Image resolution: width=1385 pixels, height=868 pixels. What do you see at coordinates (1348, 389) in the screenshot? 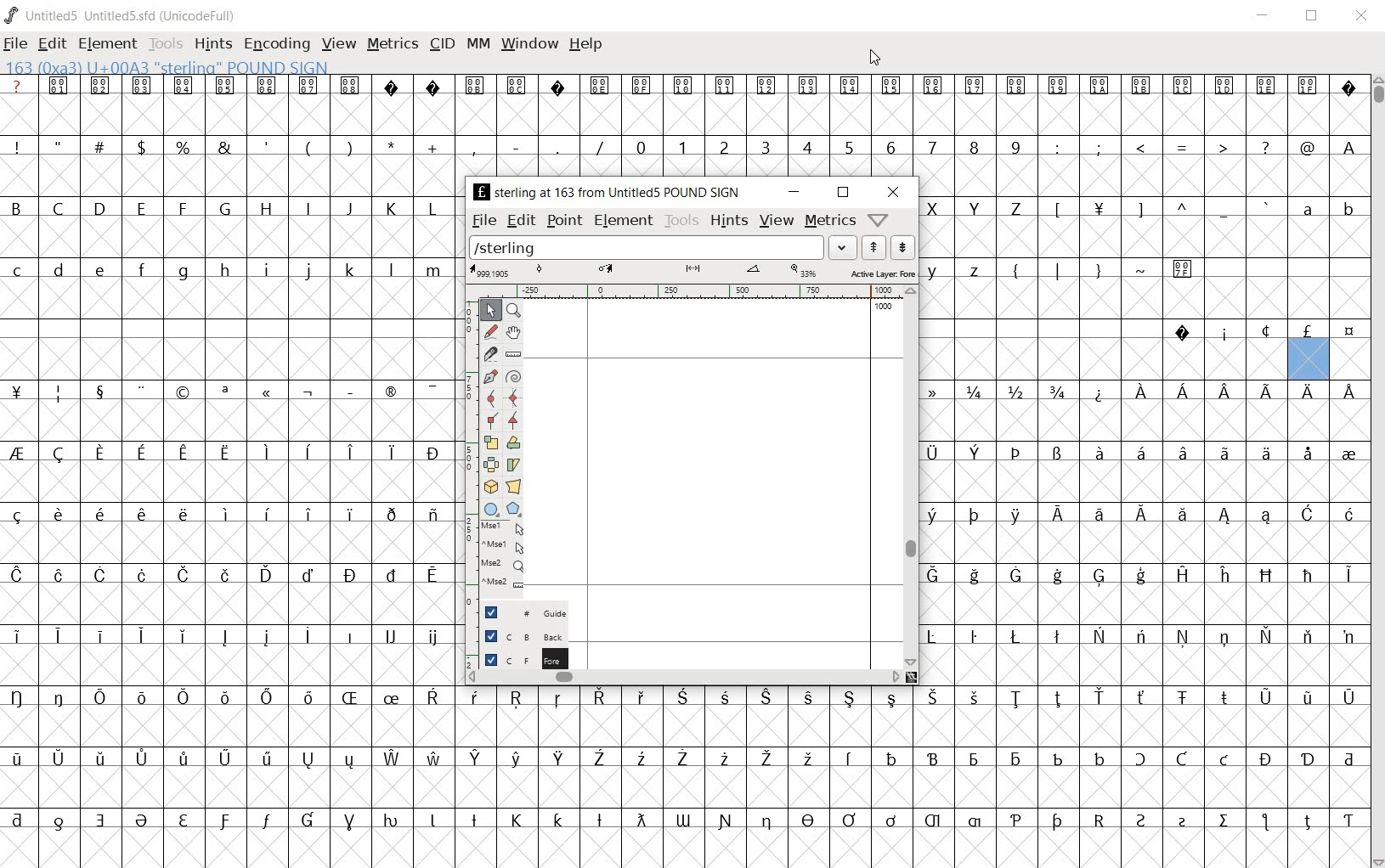
I see `Symbol` at bounding box center [1348, 389].